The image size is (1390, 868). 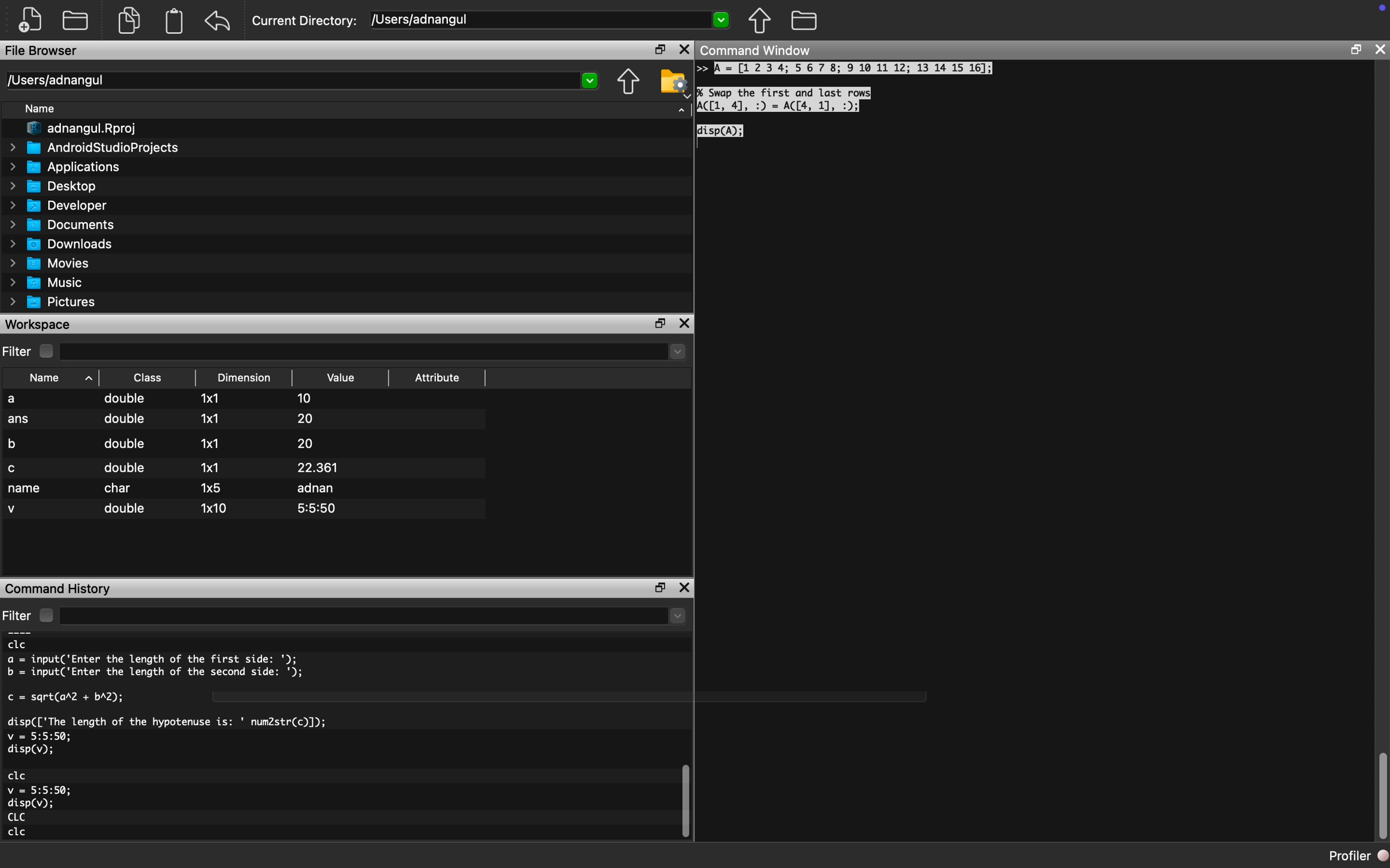 What do you see at coordinates (685, 49) in the screenshot?
I see `Close` at bounding box center [685, 49].